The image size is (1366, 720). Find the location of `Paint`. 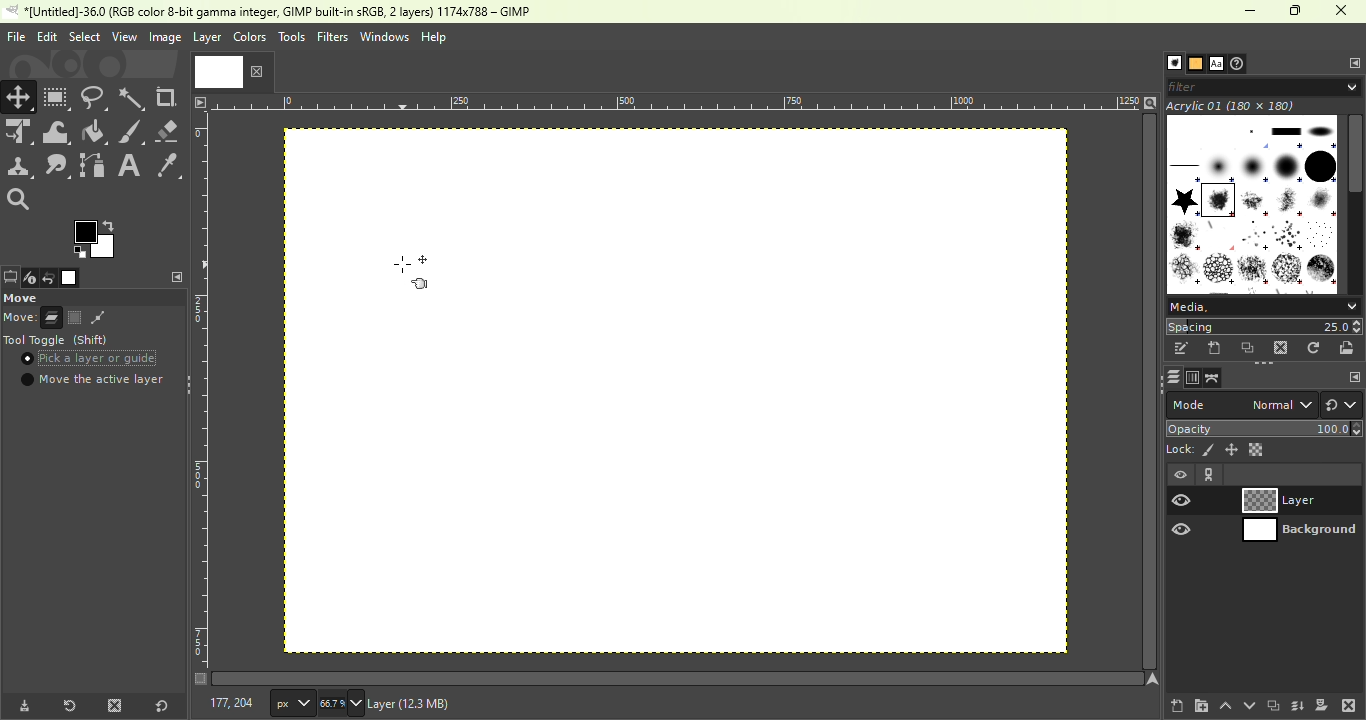

Paint is located at coordinates (95, 133).